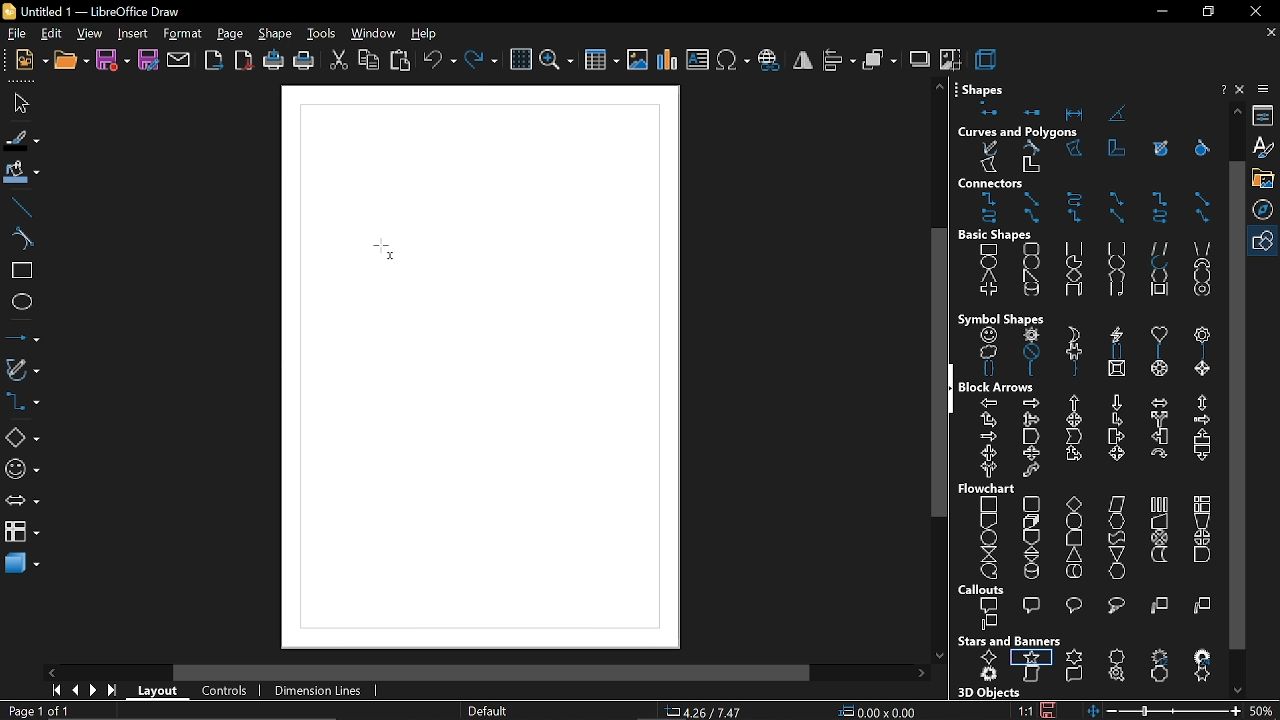 The width and height of the screenshot is (1280, 720). I want to click on undo, so click(438, 61).